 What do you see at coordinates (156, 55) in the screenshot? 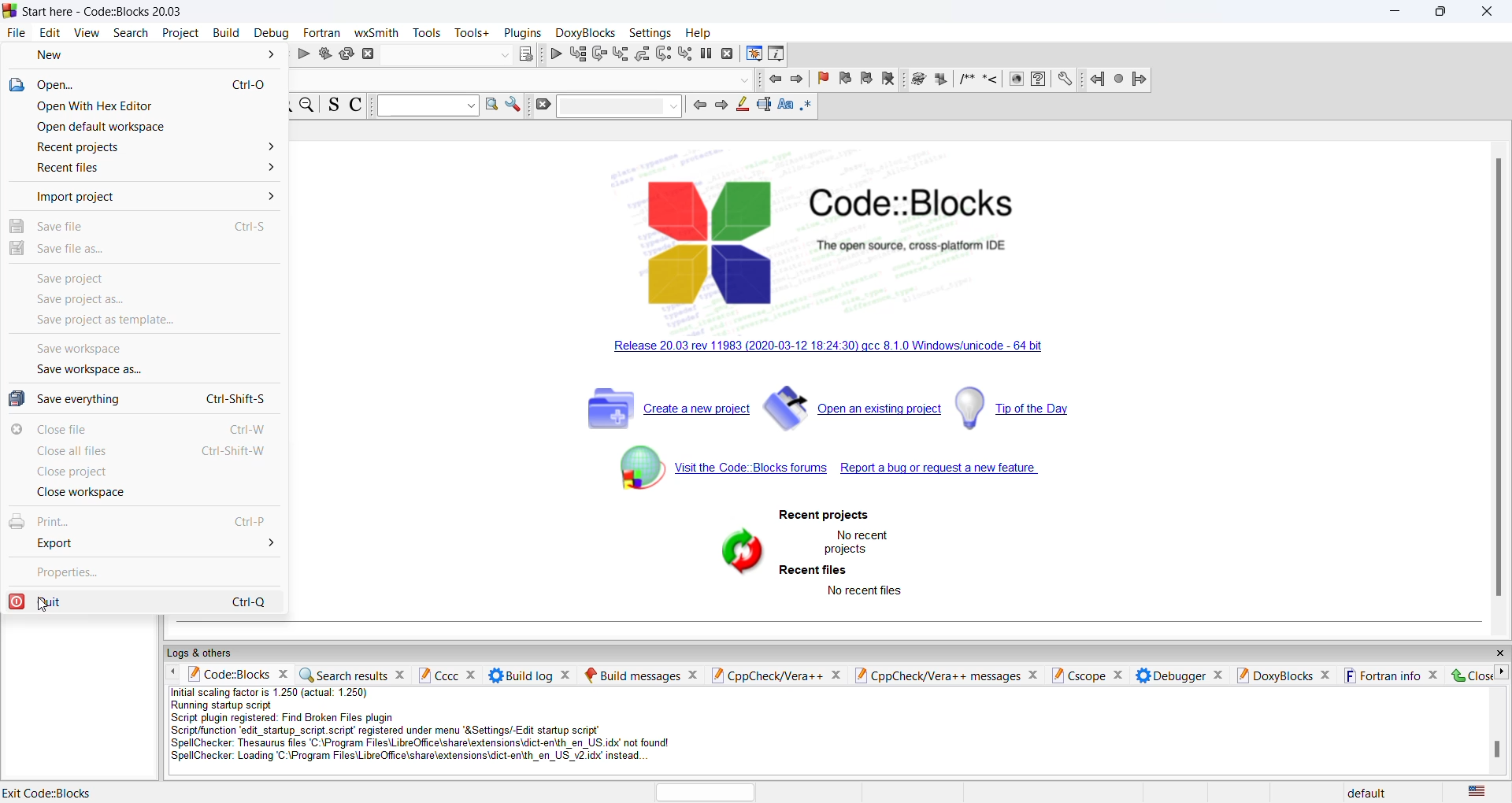
I see `New` at bounding box center [156, 55].